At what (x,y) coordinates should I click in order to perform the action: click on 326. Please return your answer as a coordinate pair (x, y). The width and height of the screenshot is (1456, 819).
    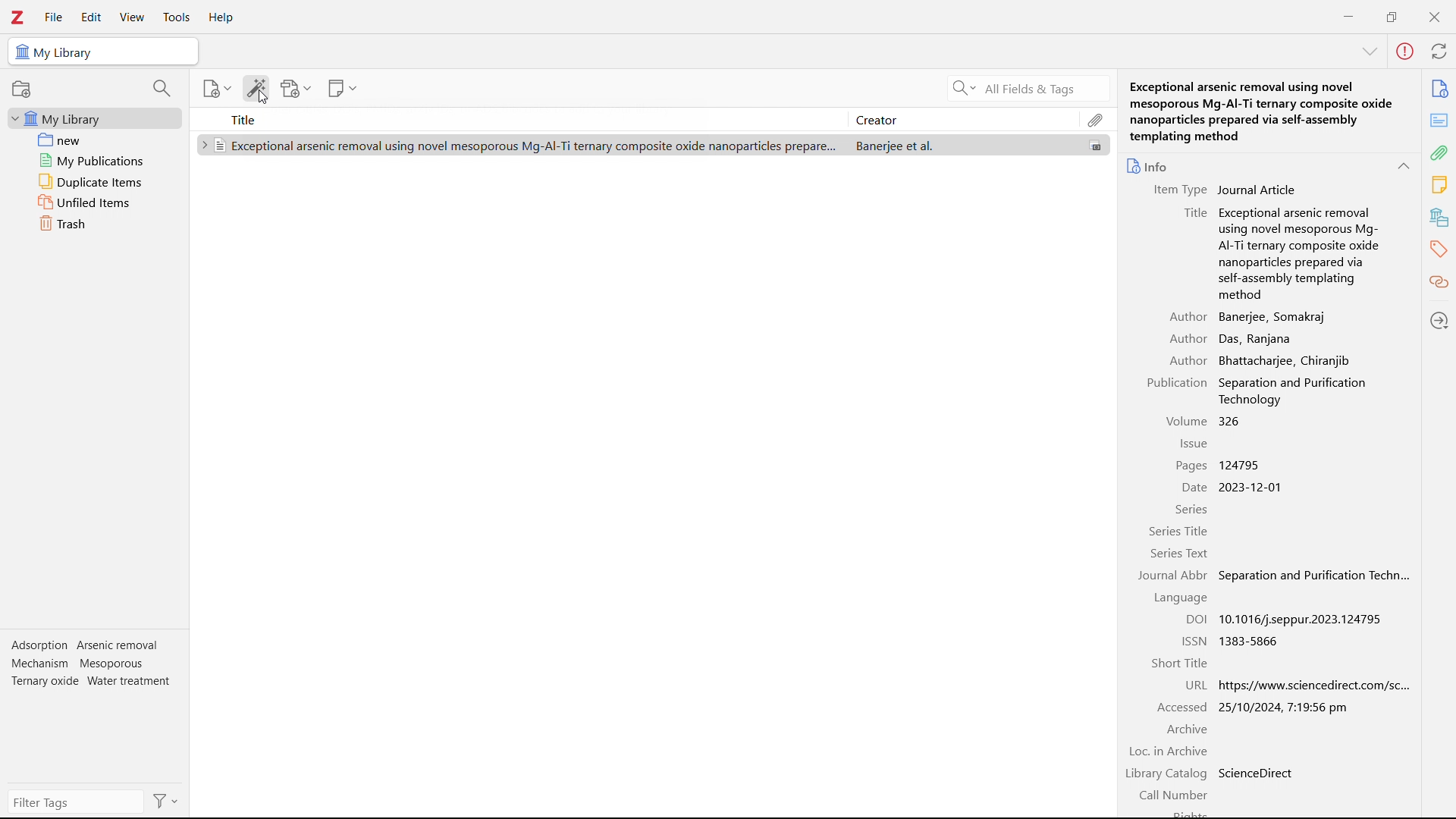
    Looking at the image, I should click on (1230, 421).